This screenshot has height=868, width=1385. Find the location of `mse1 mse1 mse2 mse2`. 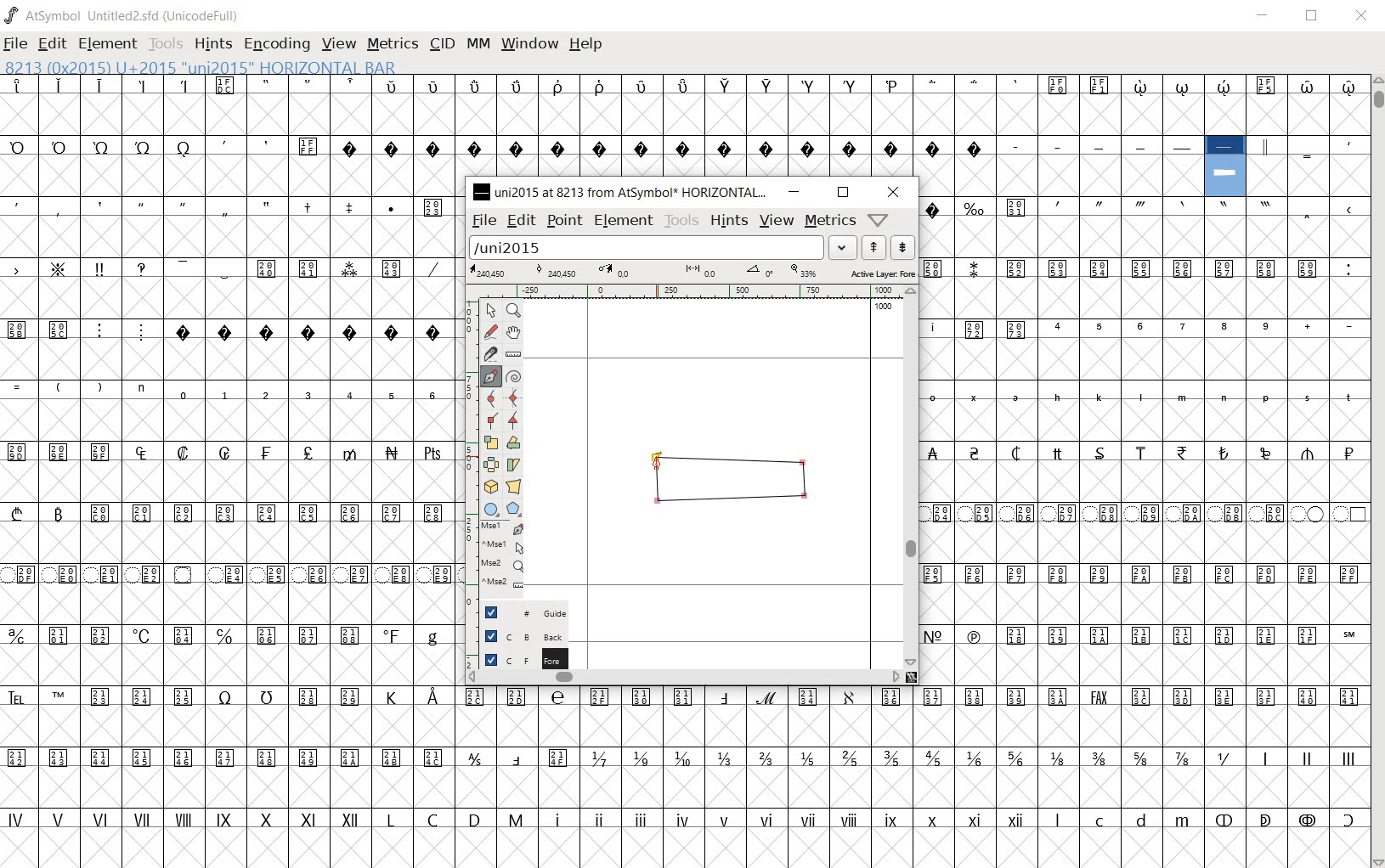

mse1 mse1 mse2 mse2 is located at coordinates (493, 558).